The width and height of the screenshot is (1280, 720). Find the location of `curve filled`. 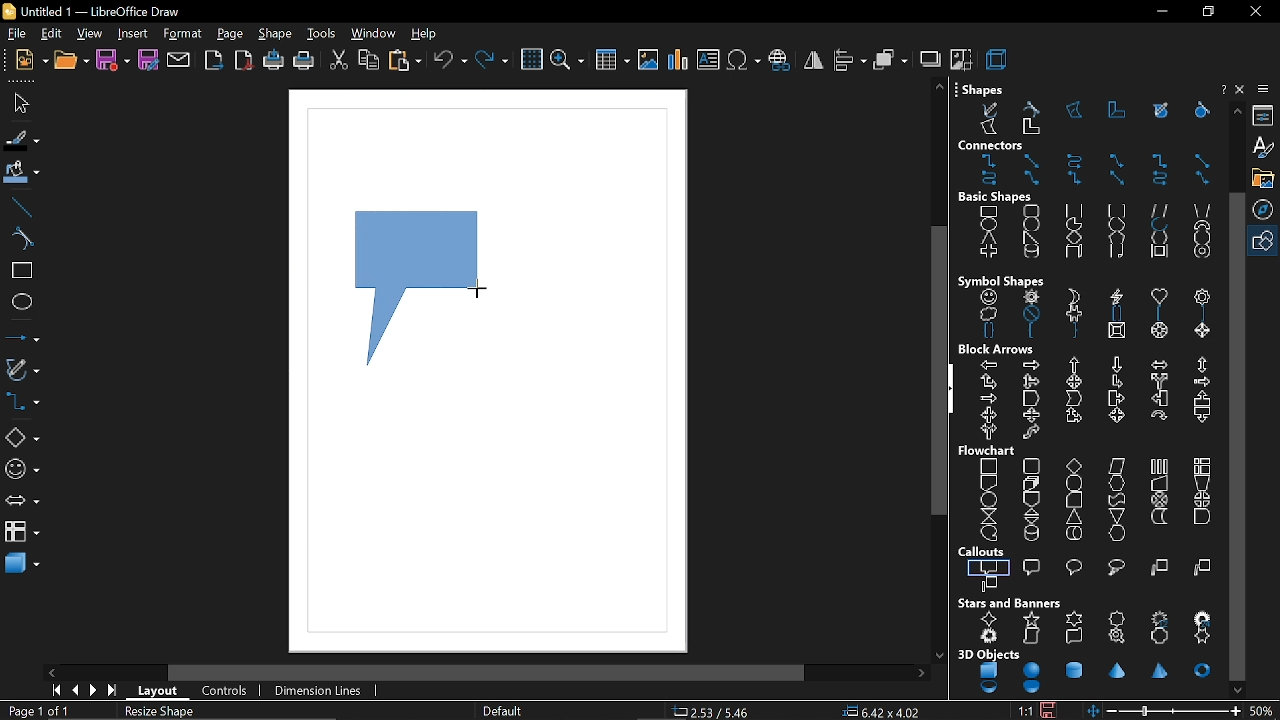

curve filled is located at coordinates (1198, 111).